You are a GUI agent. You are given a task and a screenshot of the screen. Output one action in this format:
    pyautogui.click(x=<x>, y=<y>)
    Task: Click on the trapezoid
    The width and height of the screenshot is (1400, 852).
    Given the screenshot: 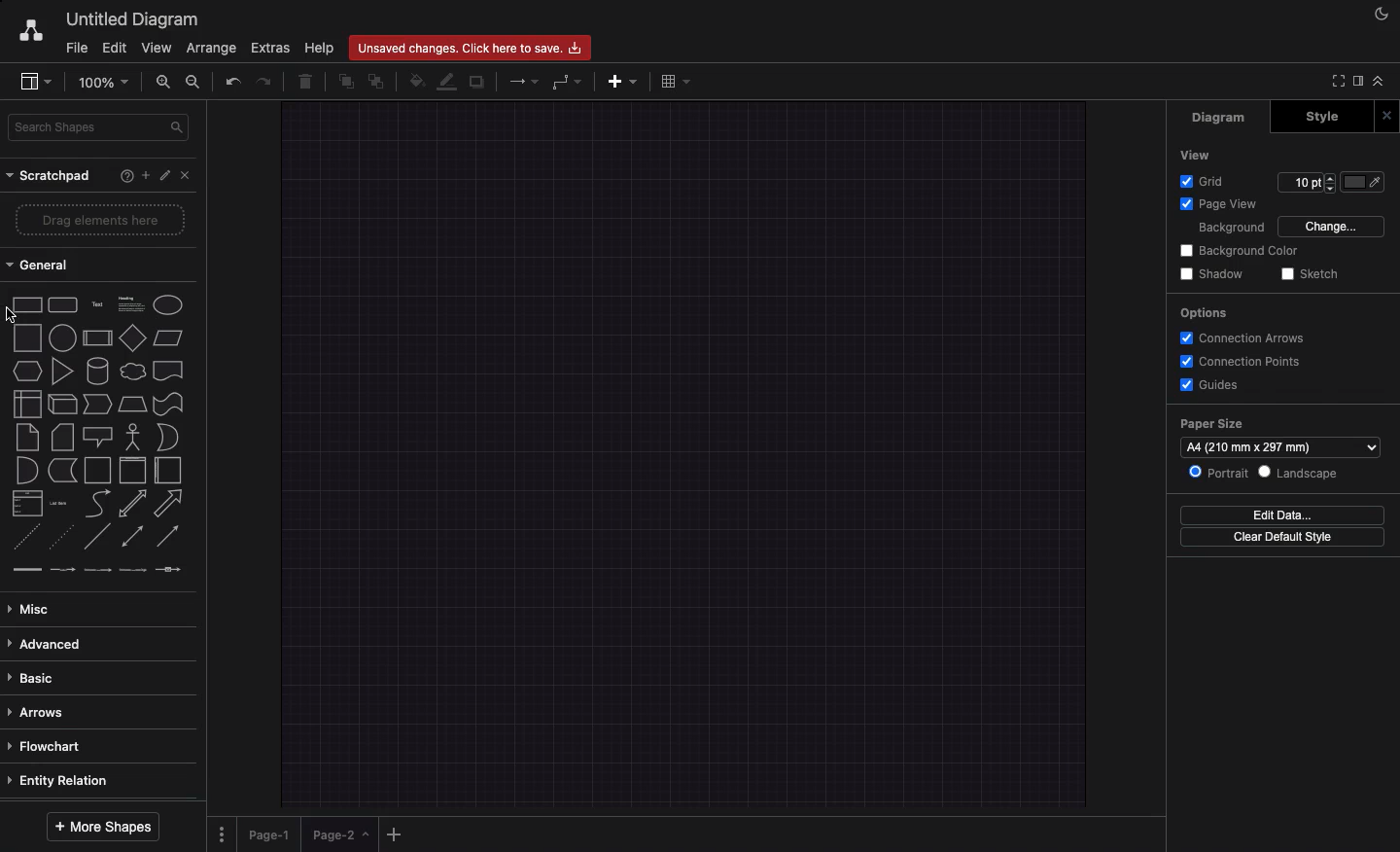 What is the action you would take?
    pyautogui.click(x=131, y=403)
    